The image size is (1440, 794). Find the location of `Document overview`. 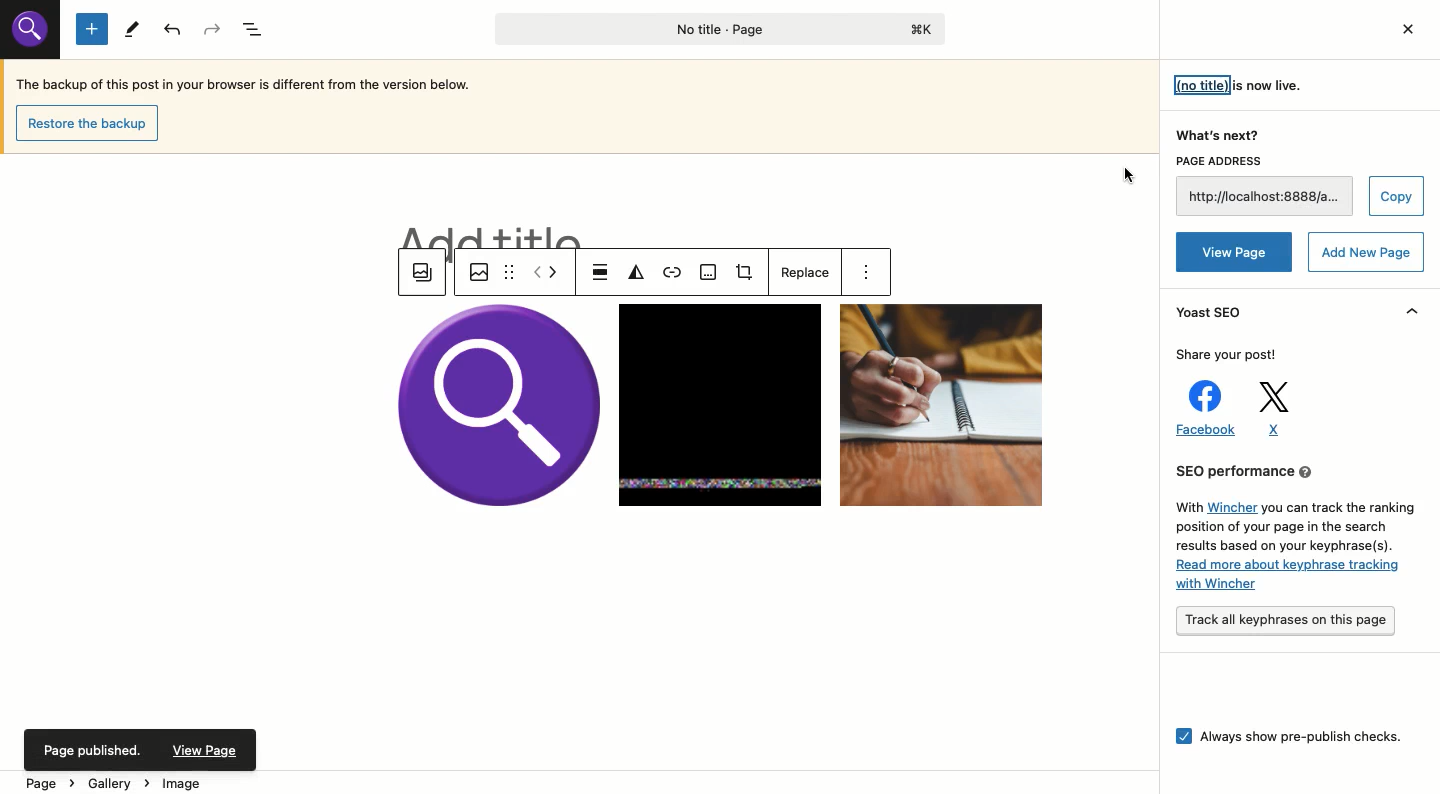

Document overview is located at coordinates (256, 29).